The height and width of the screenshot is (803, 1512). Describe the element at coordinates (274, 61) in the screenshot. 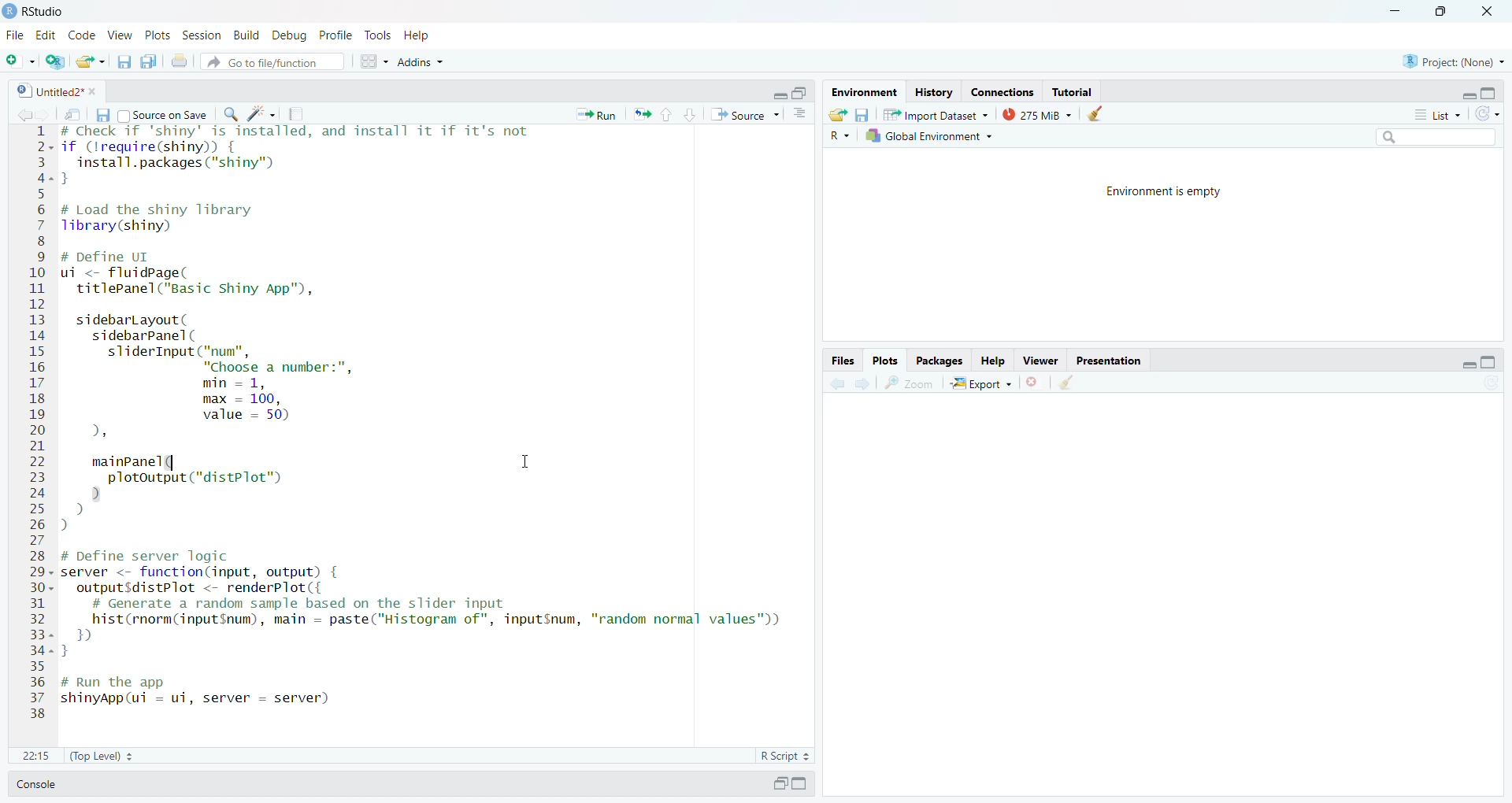

I see `file search` at that location.